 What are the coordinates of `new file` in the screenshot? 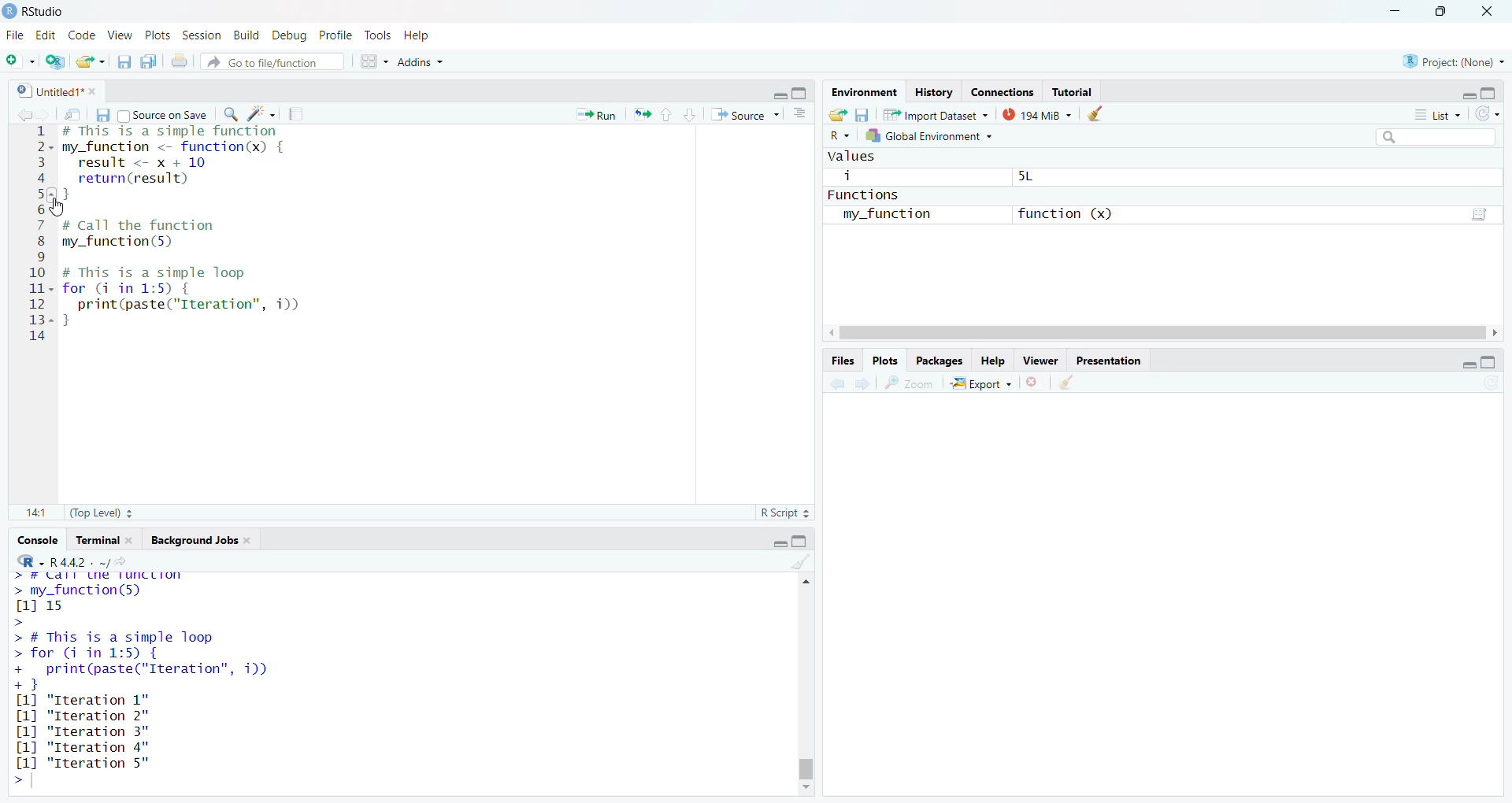 It's located at (20, 58).